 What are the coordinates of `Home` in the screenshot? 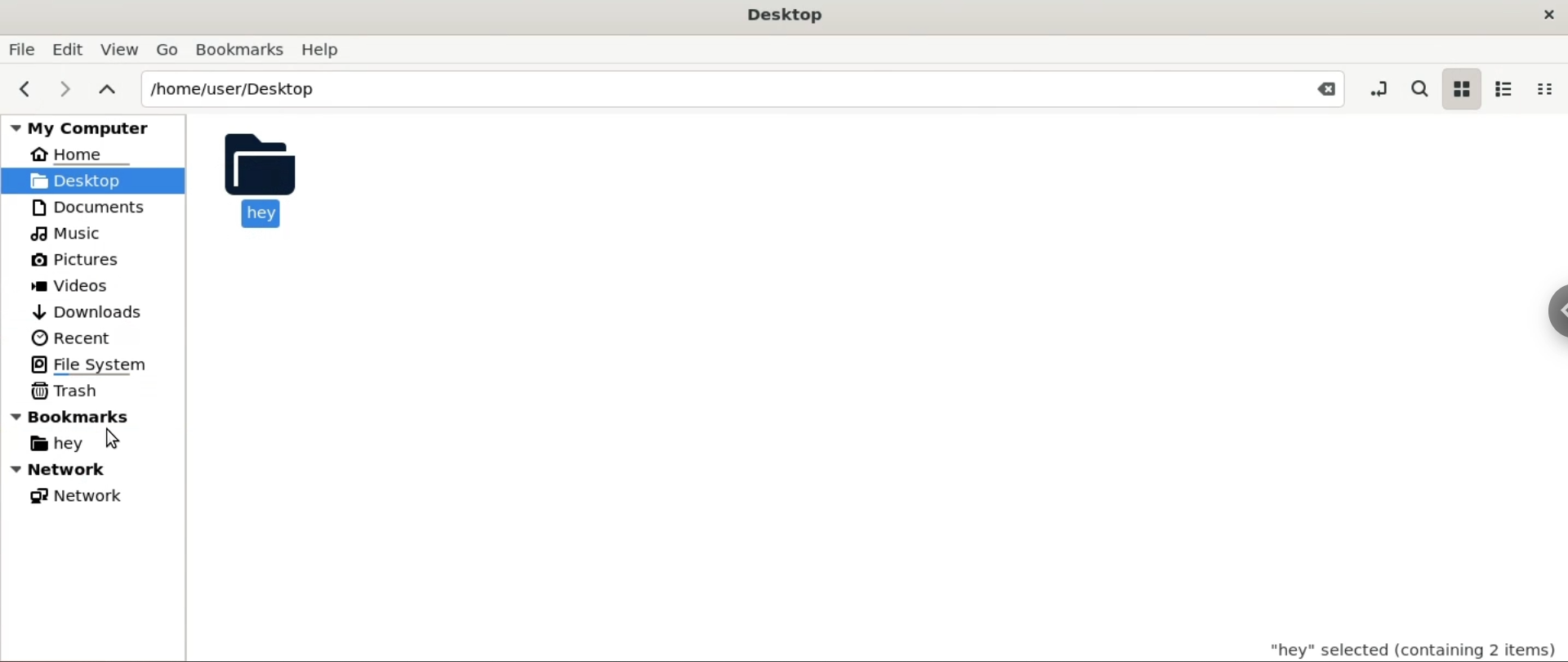 It's located at (76, 157).